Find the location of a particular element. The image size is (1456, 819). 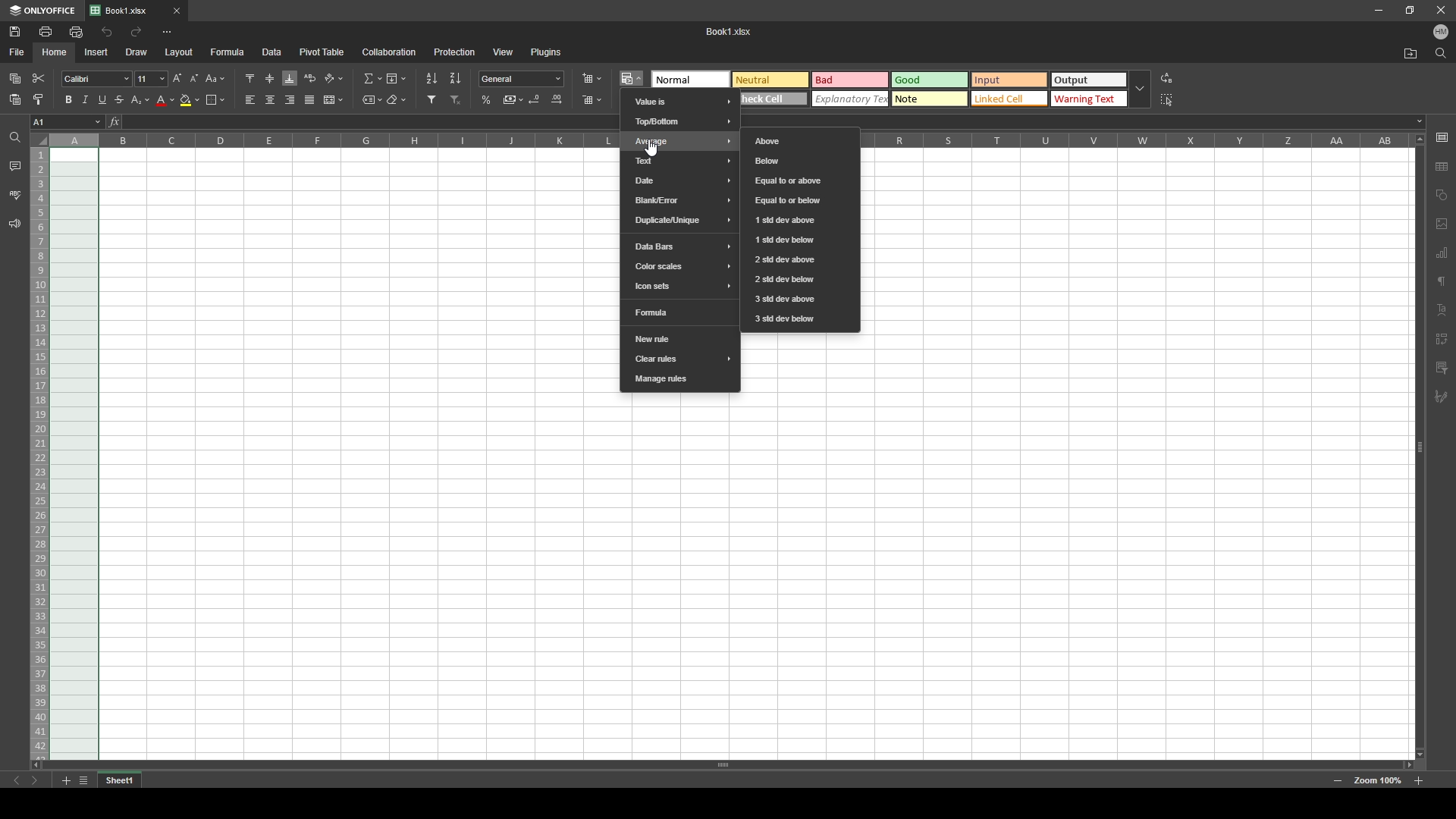

copy style is located at coordinates (38, 99).